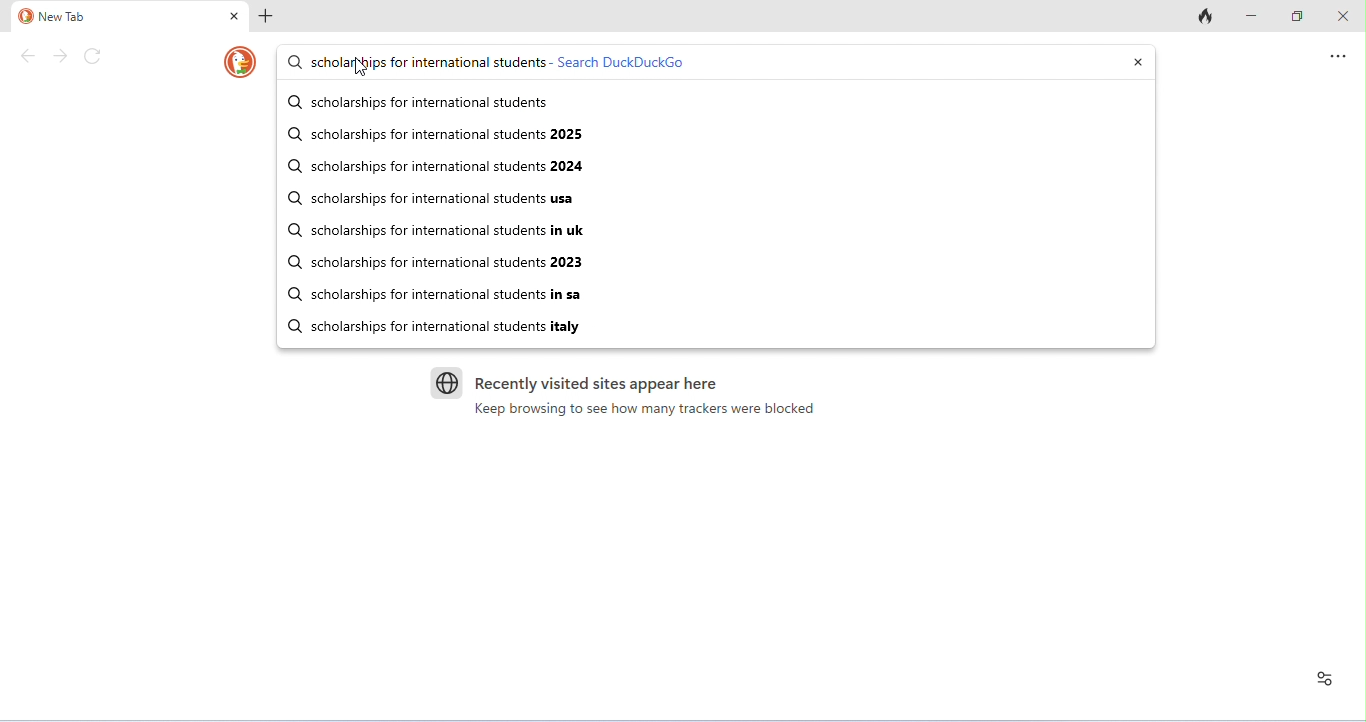 The image size is (1366, 722). I want to click on search icon, so click(291, 198).